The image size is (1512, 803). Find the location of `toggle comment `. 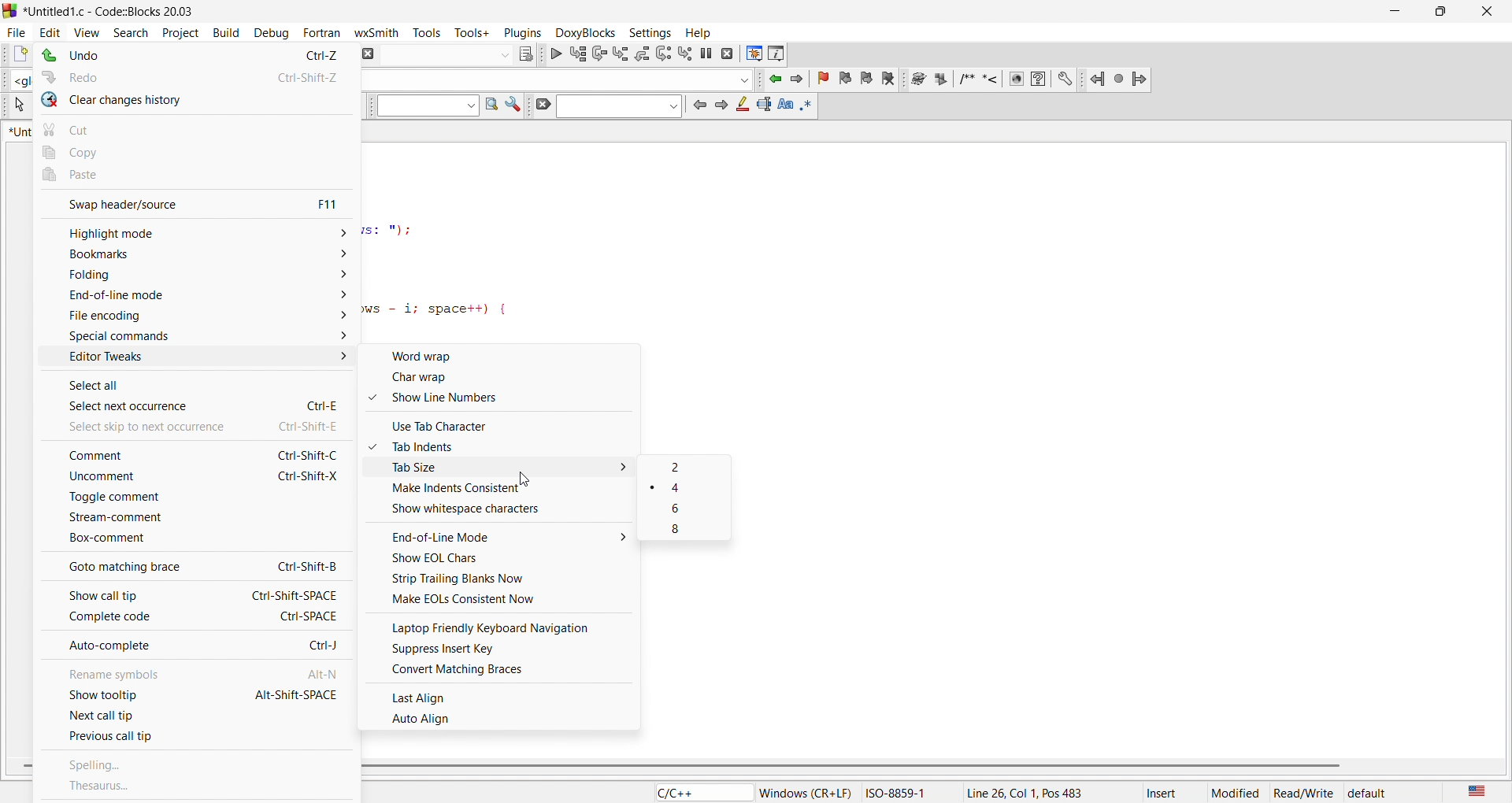

toggle comment  is located at coordinates (194, 500).